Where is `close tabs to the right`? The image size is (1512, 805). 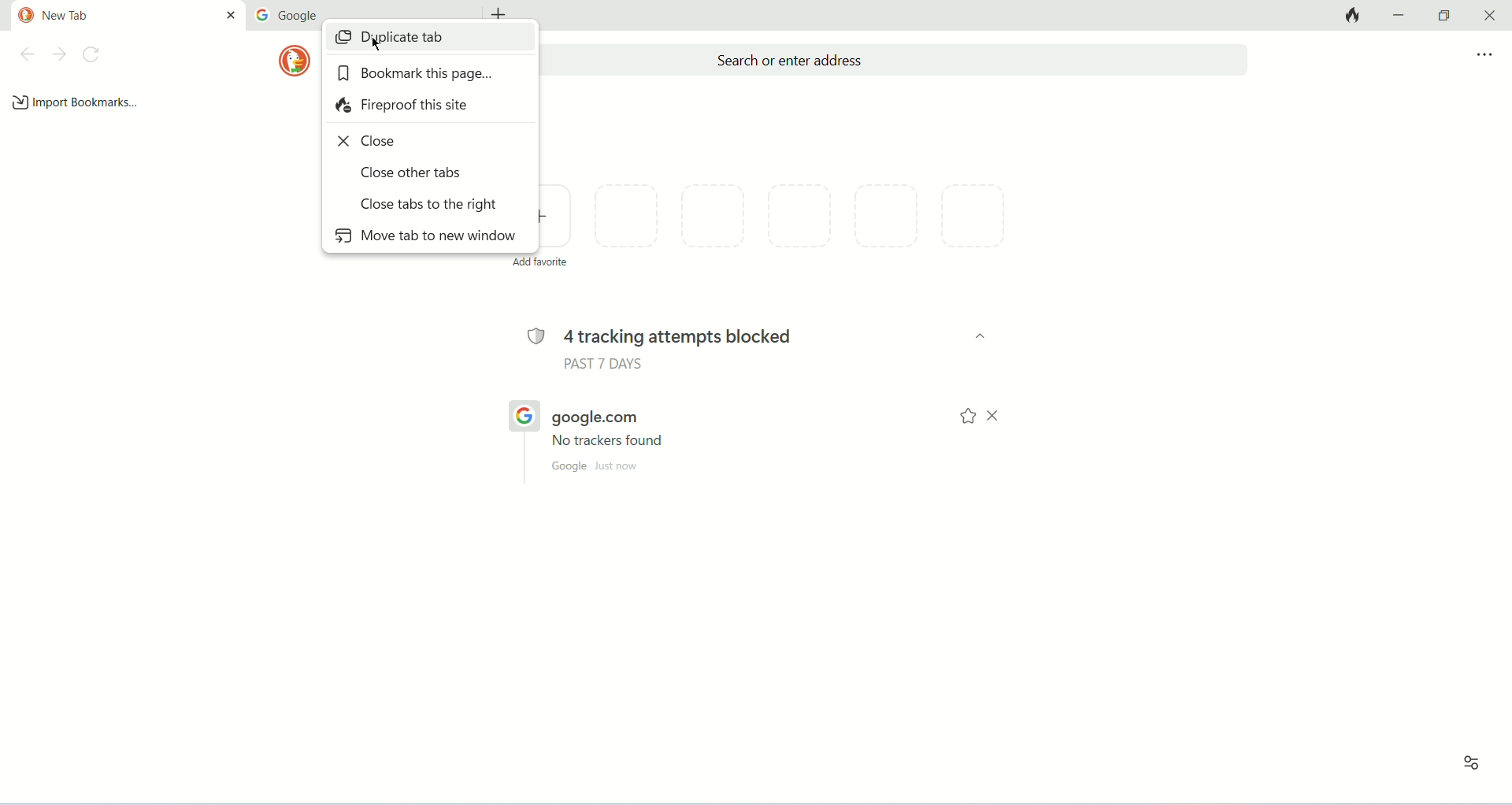 close tabs to the right is located at coordinates (428, 202).